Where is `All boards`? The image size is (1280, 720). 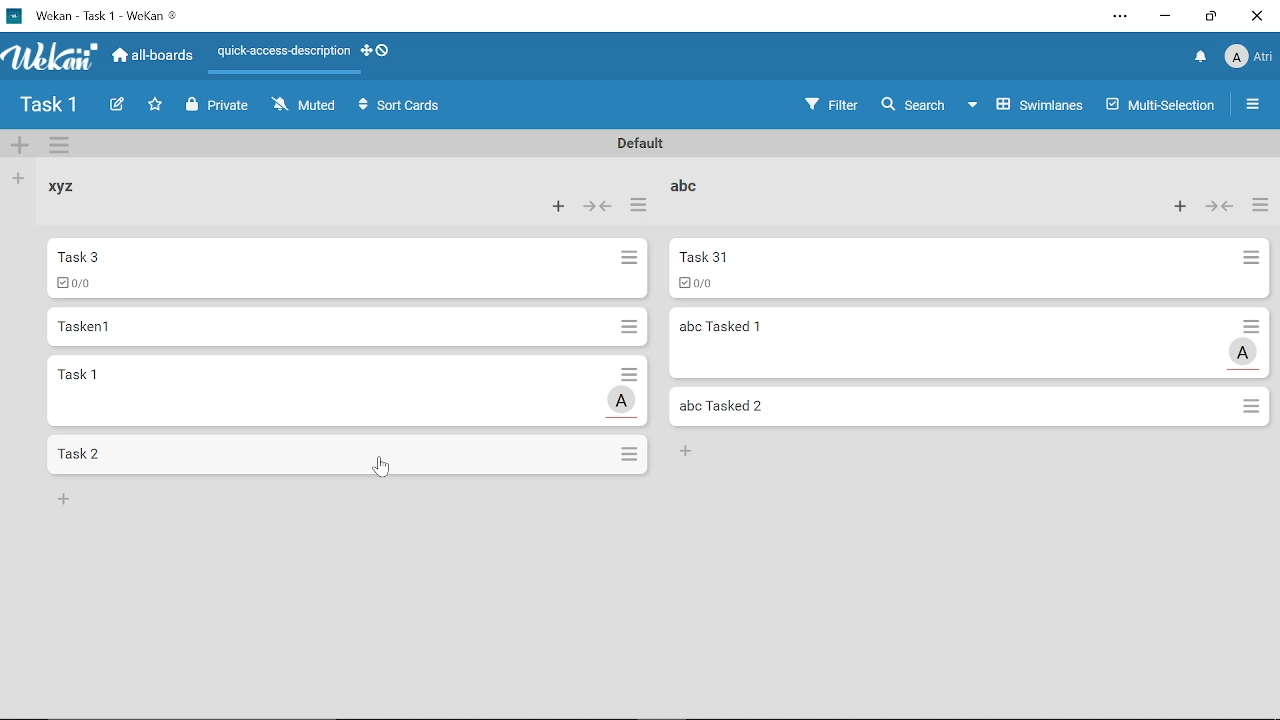
All boards is located at coordinates (154, 55).